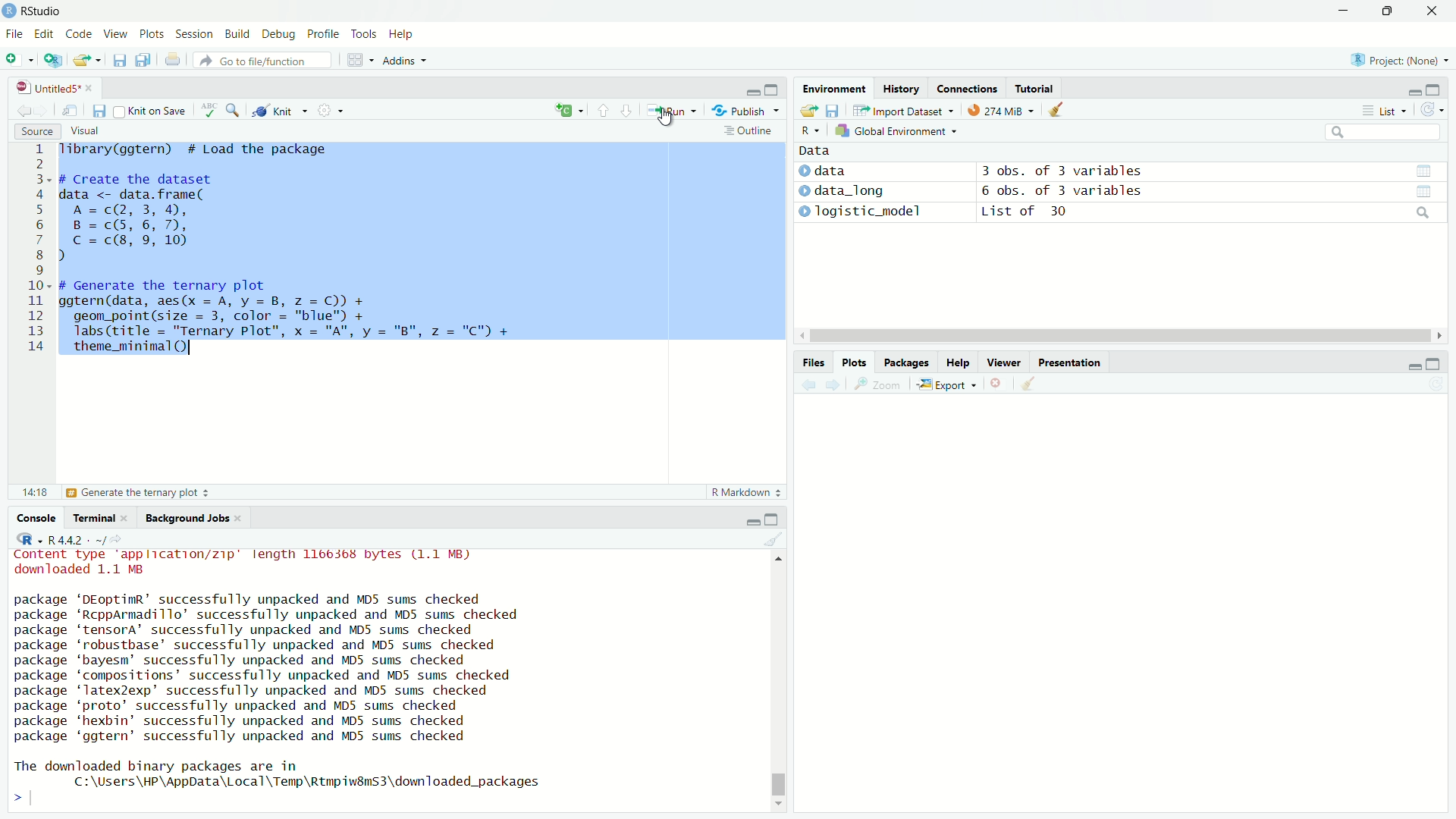  Describe the element at coordinates (835, 108) in the screenshot. I see `save` at that location.